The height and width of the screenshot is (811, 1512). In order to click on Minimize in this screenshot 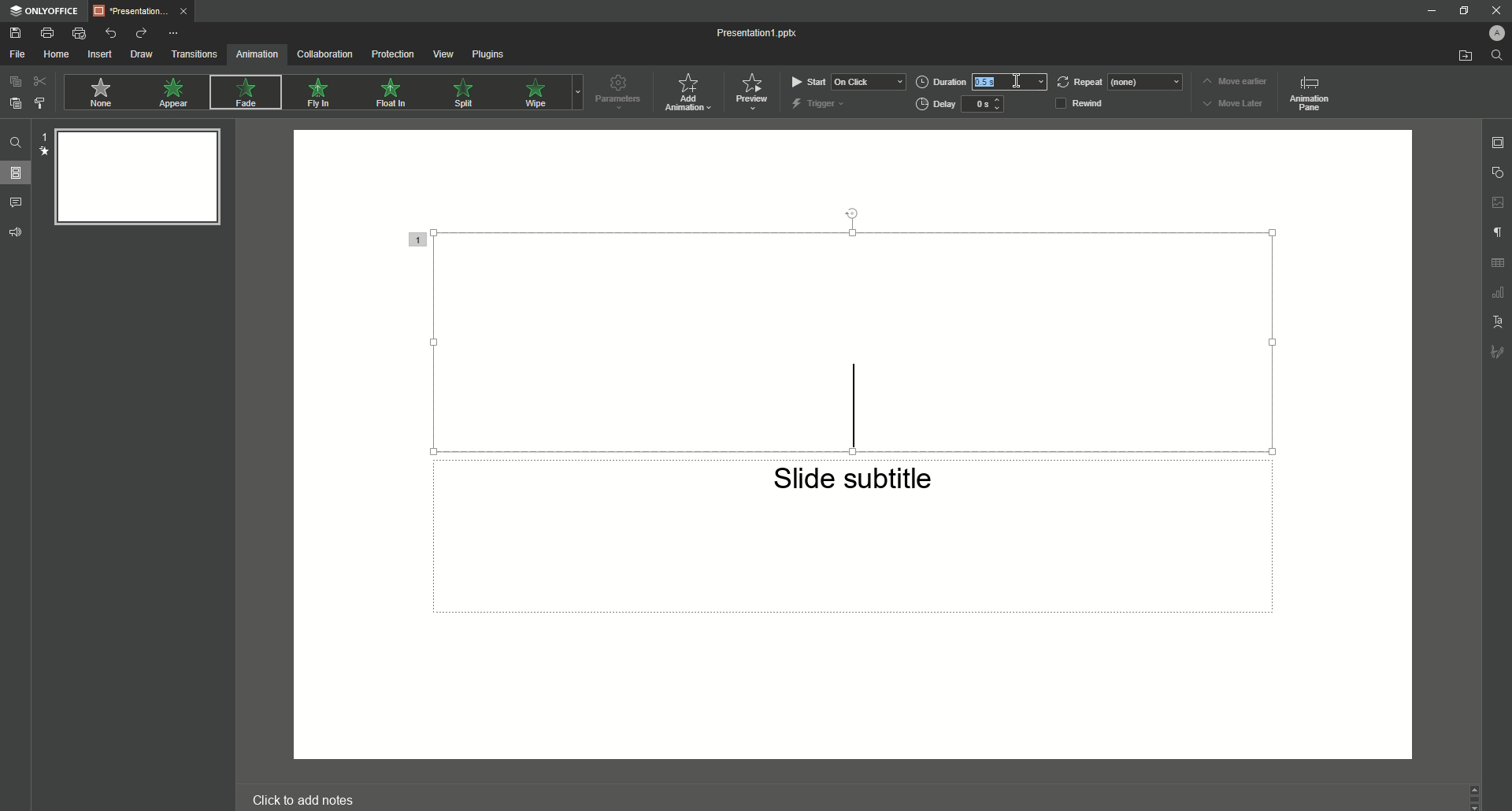, I will do `click(1462, 11)`.